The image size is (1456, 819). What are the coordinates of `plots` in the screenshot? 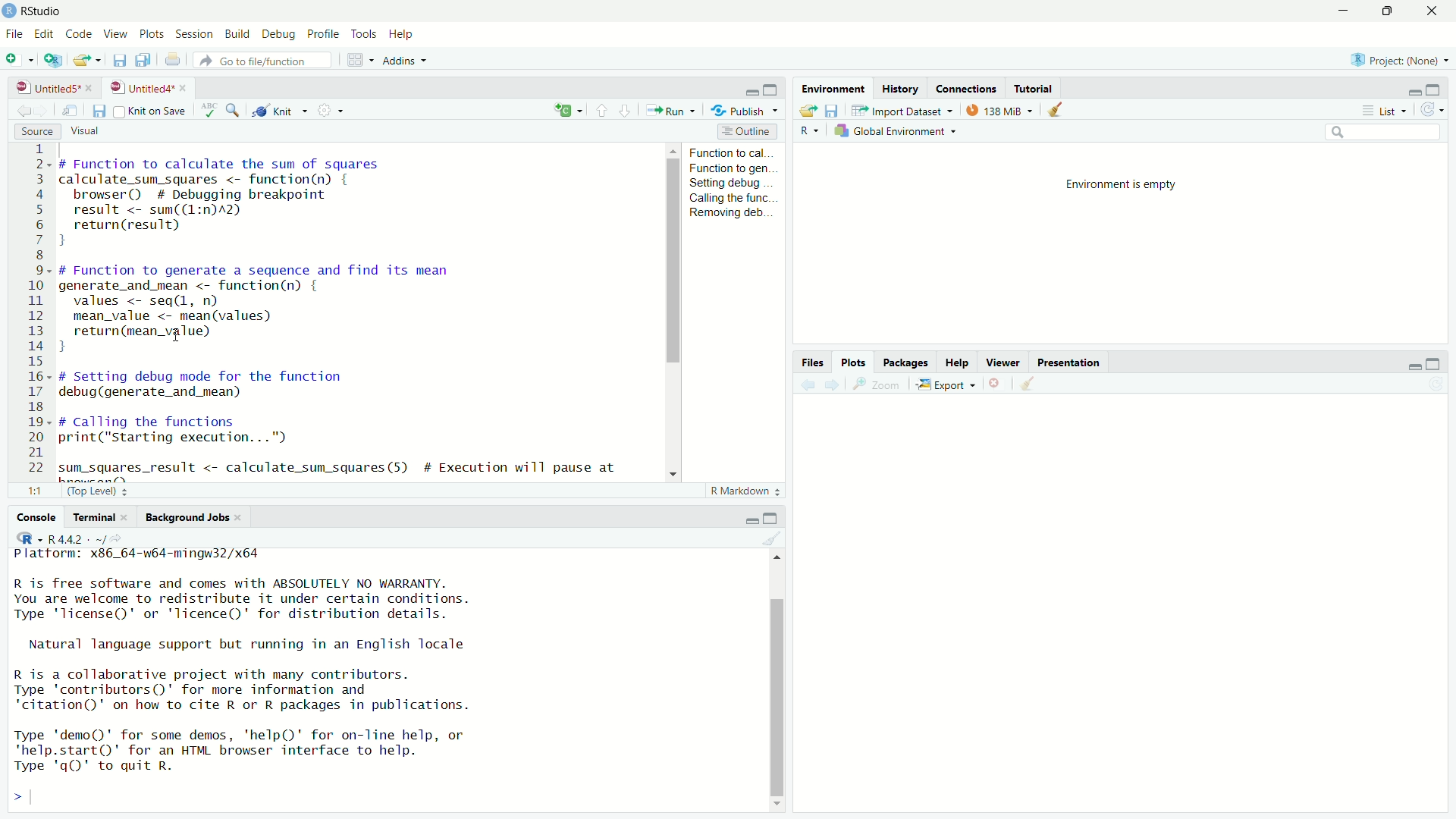 It's located at (857, 362).